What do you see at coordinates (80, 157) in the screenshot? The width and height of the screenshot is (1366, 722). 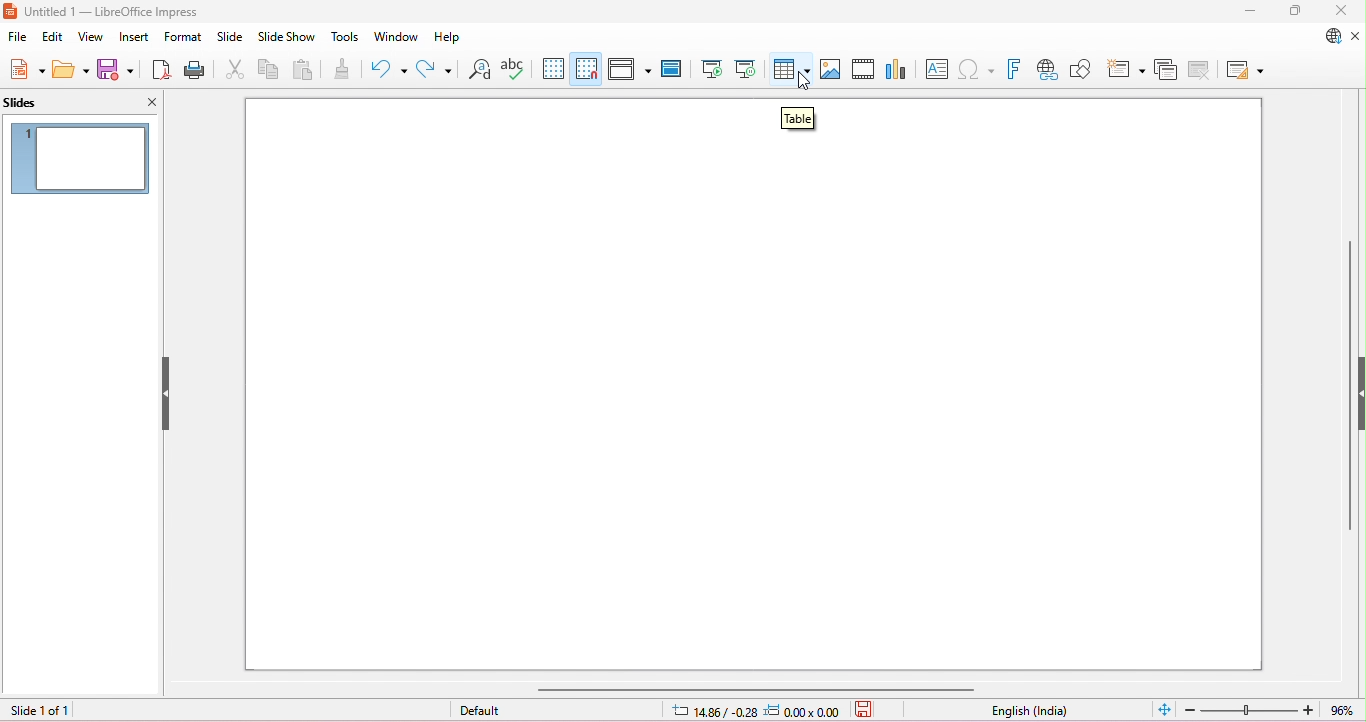 I see `current slide` at bounding box center [80, 157].